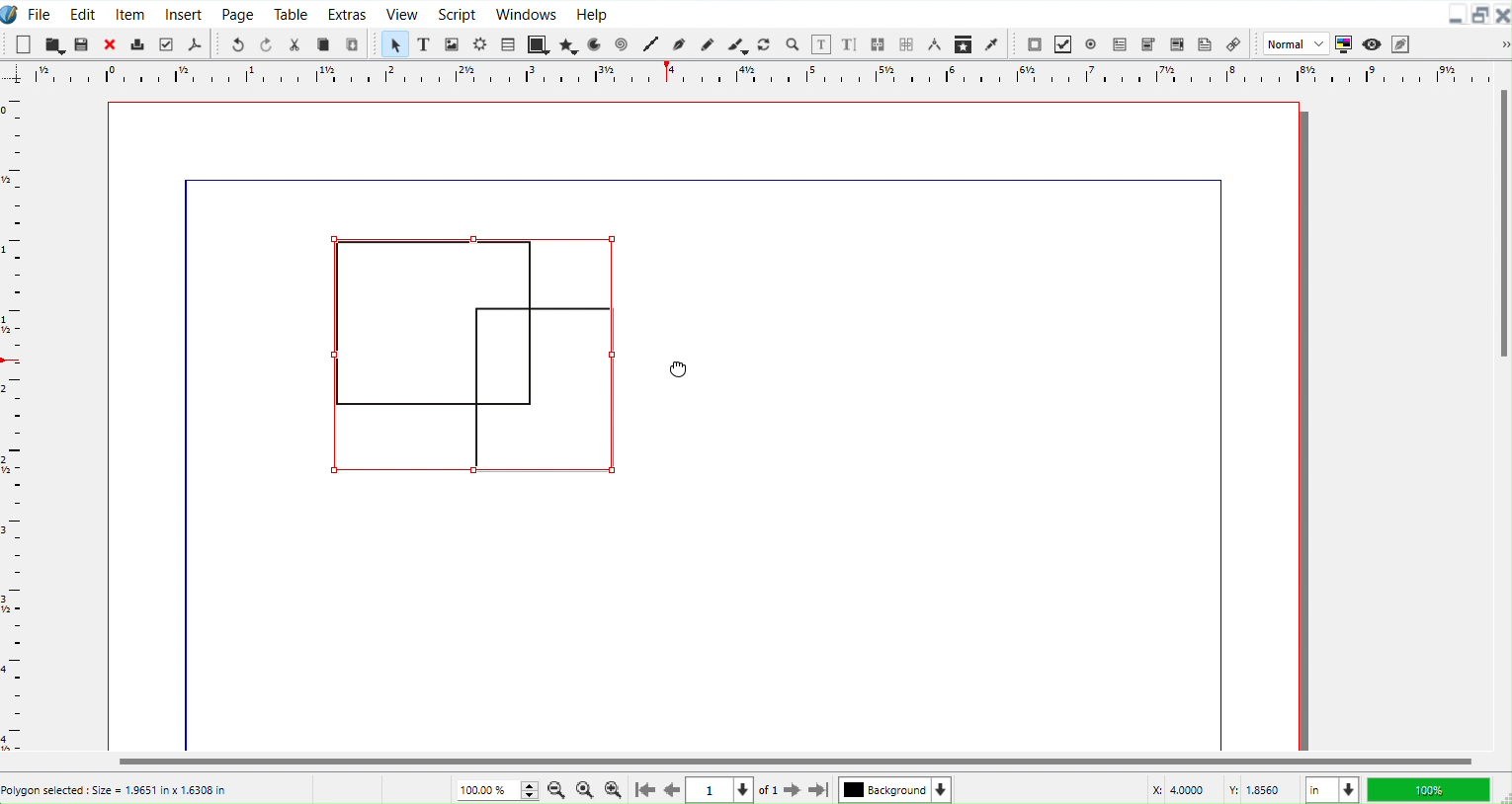  Describe the element at coordinates (237, 43) in the screenshot. I see `Undo` at that location.